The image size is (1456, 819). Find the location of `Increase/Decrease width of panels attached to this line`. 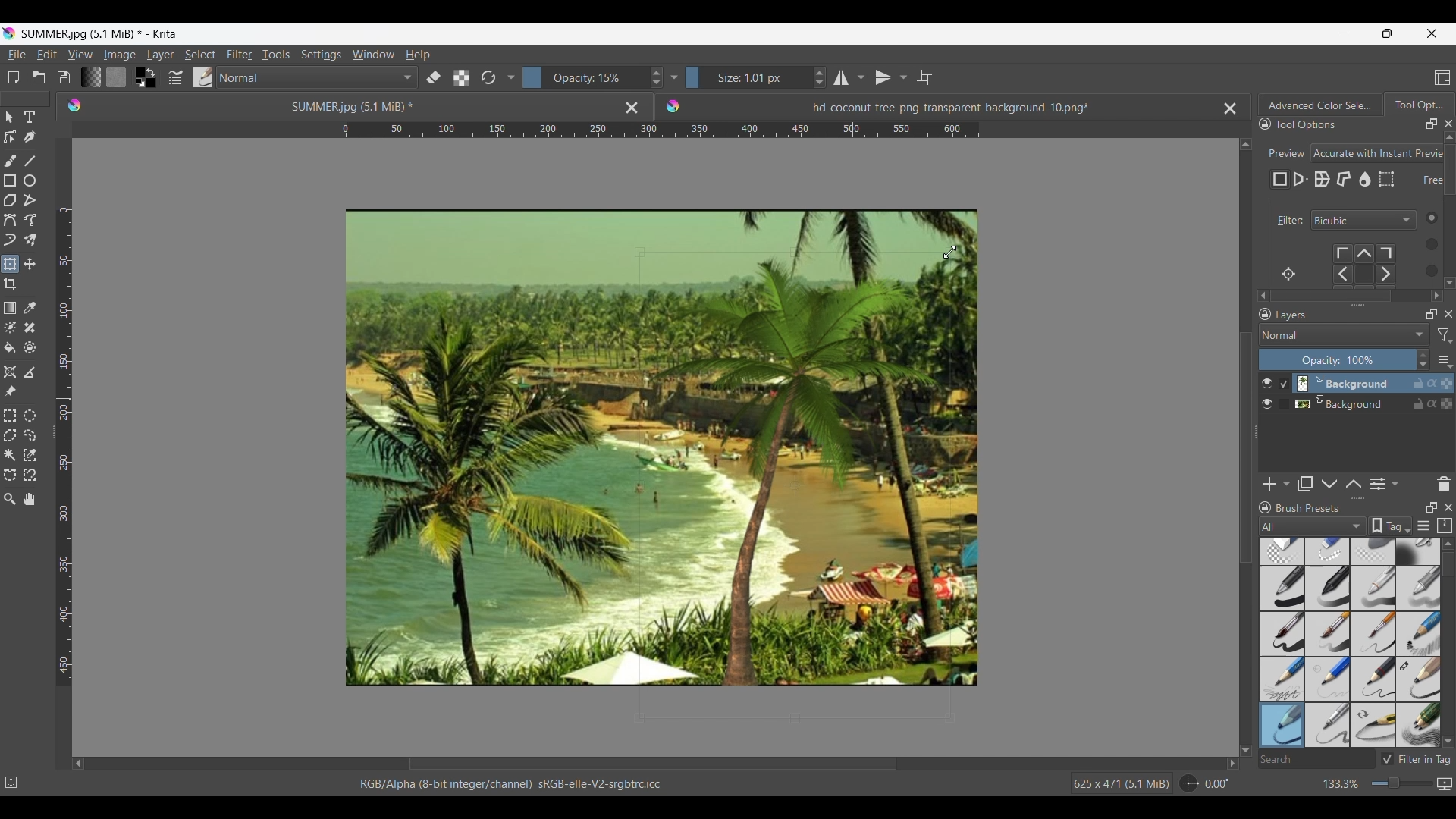

Increase/Decrease width of panels attached to this line is located at coordinates (1358, 304).